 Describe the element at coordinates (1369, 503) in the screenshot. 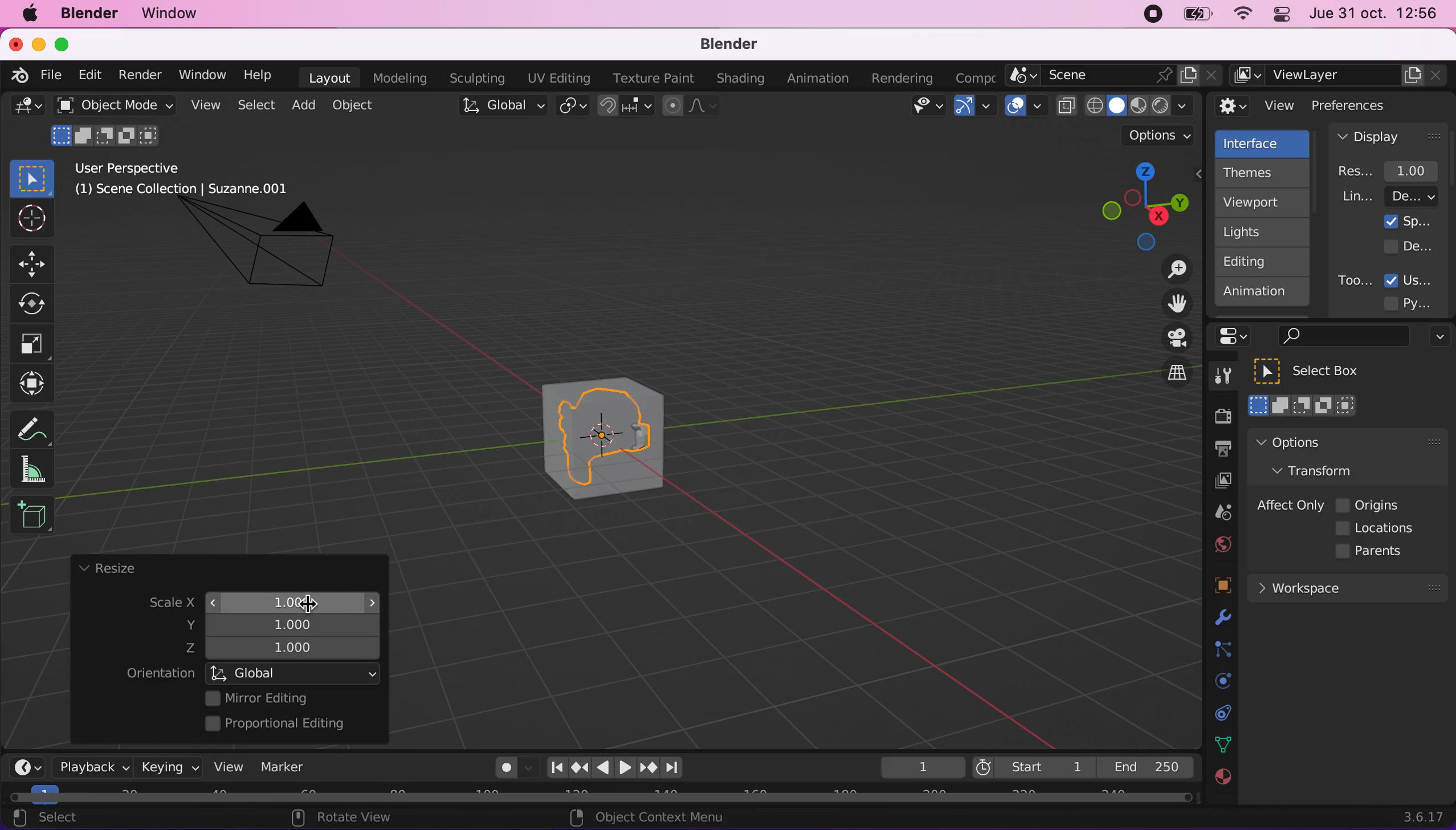

I see `origins` at that location.